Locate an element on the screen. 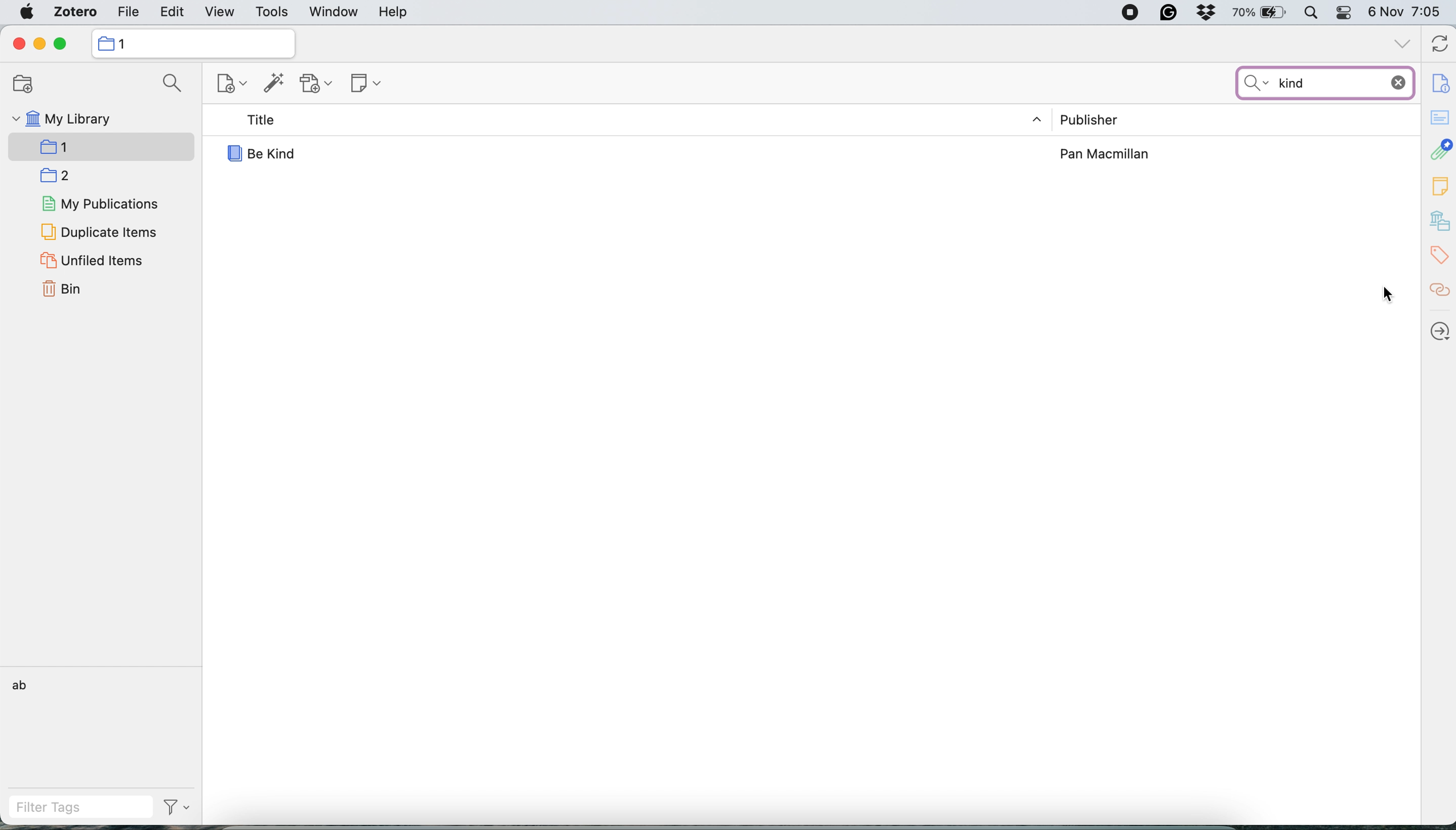 The width and height of the screenshot is (1456, 830). file is located at coordinates (133, 13).